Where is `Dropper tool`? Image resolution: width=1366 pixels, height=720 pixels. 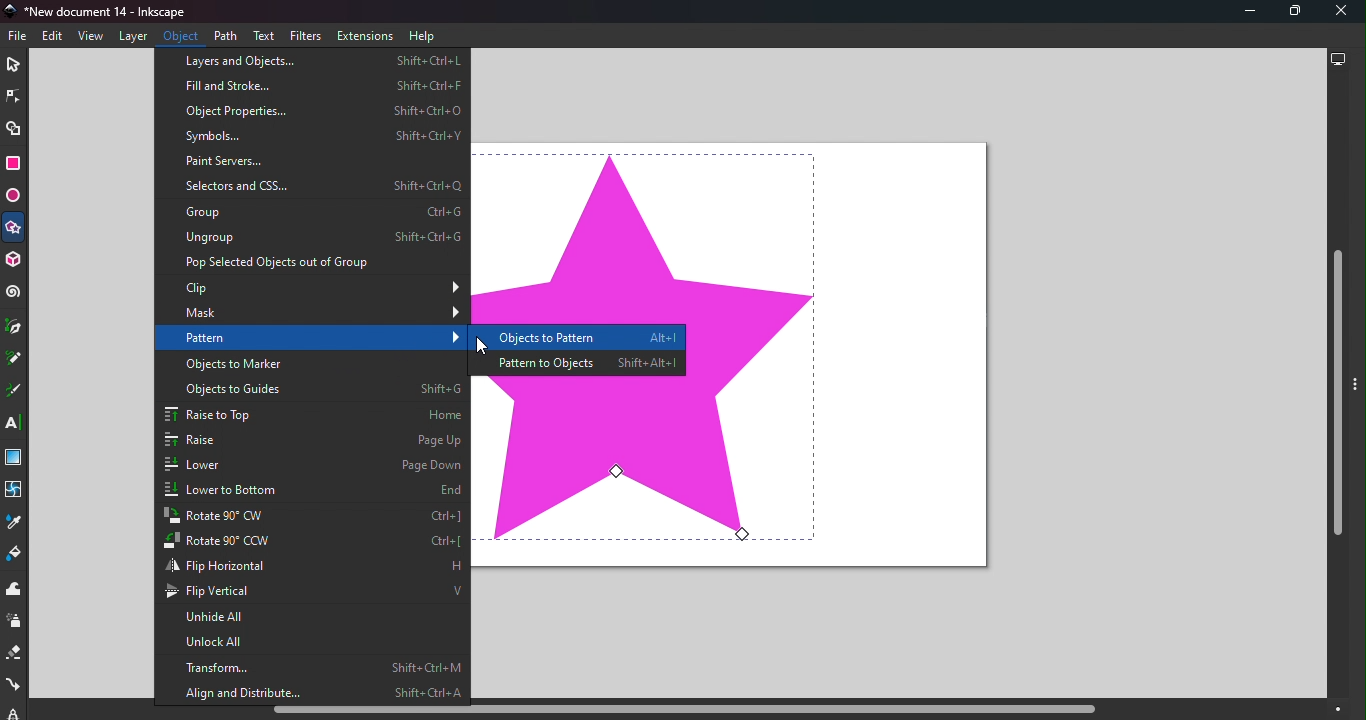 Dropper tool is located at coordinates (12, 526).